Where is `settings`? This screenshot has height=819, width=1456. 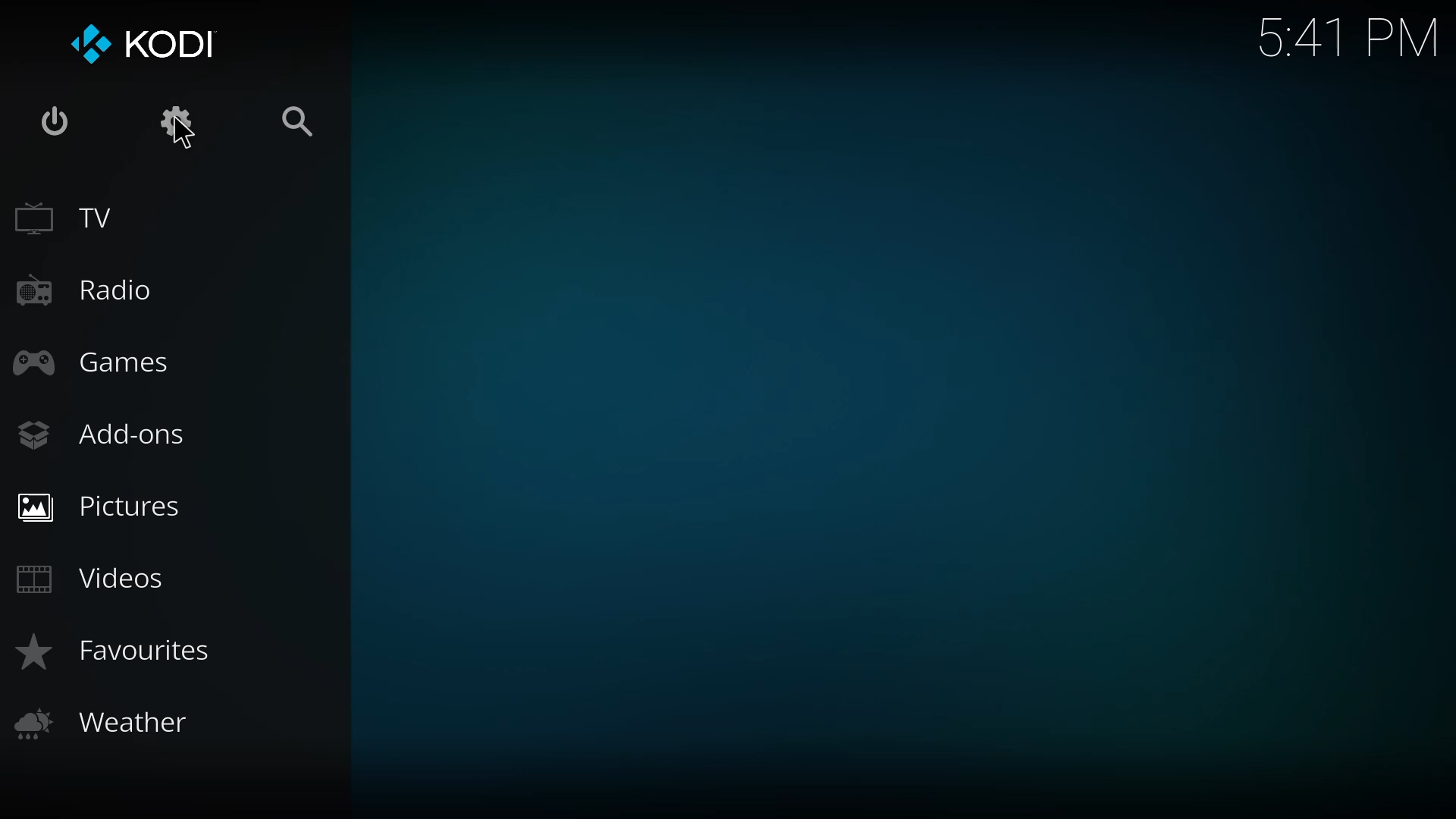
settings is located at coordinates (170, 125).